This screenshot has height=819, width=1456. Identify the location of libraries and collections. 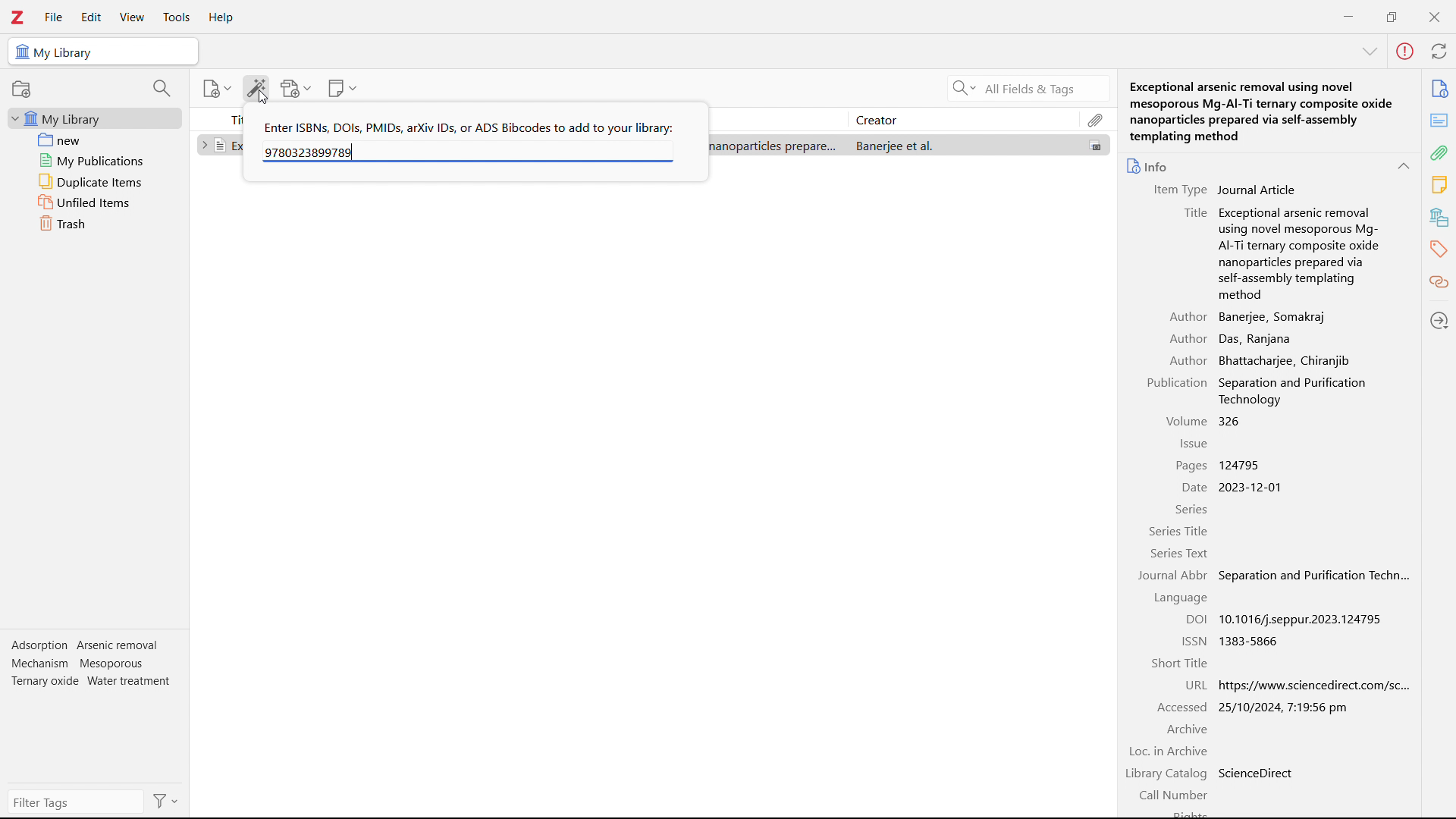
(1441, 216).